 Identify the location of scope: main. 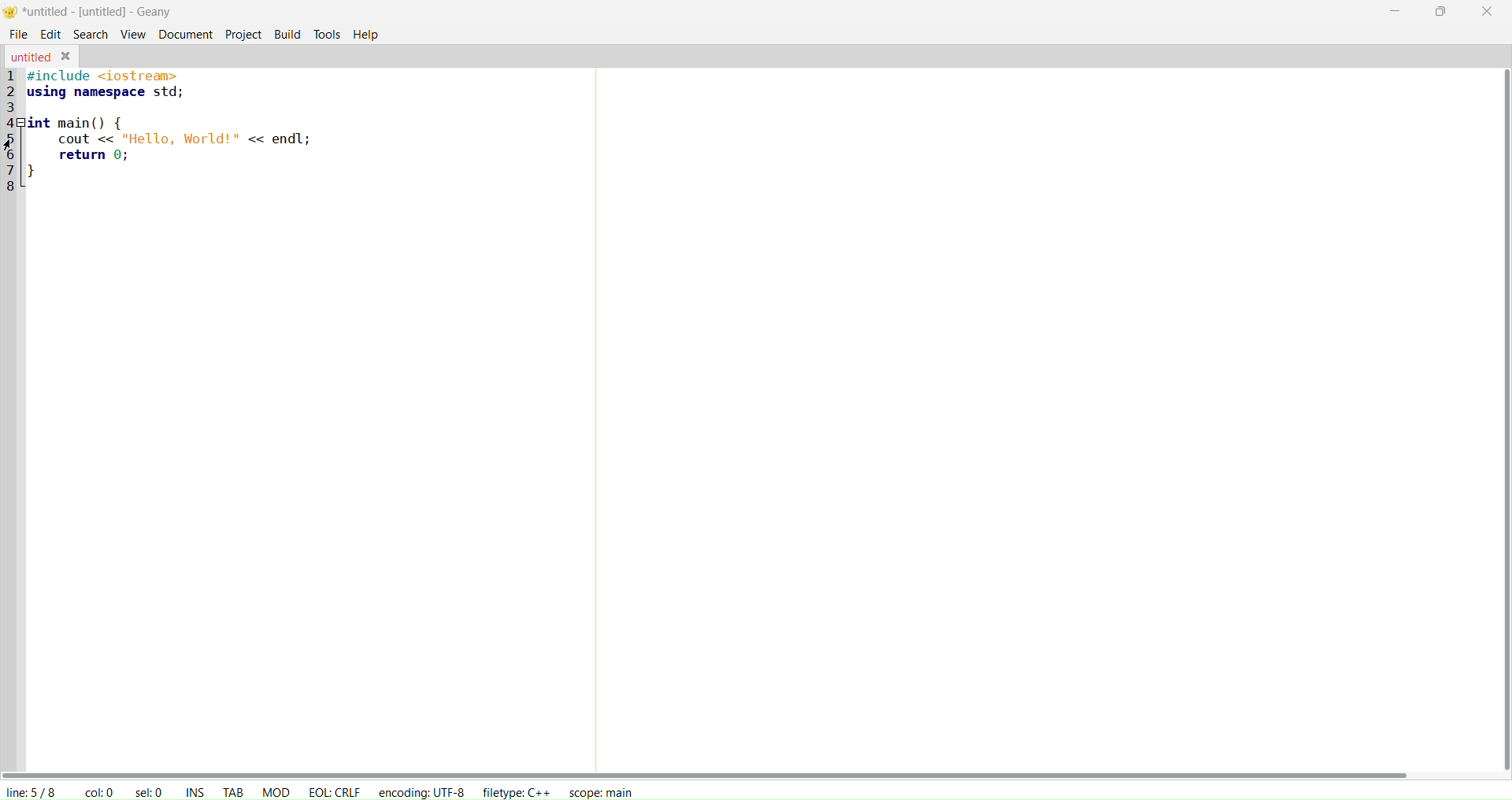
(605, 792).